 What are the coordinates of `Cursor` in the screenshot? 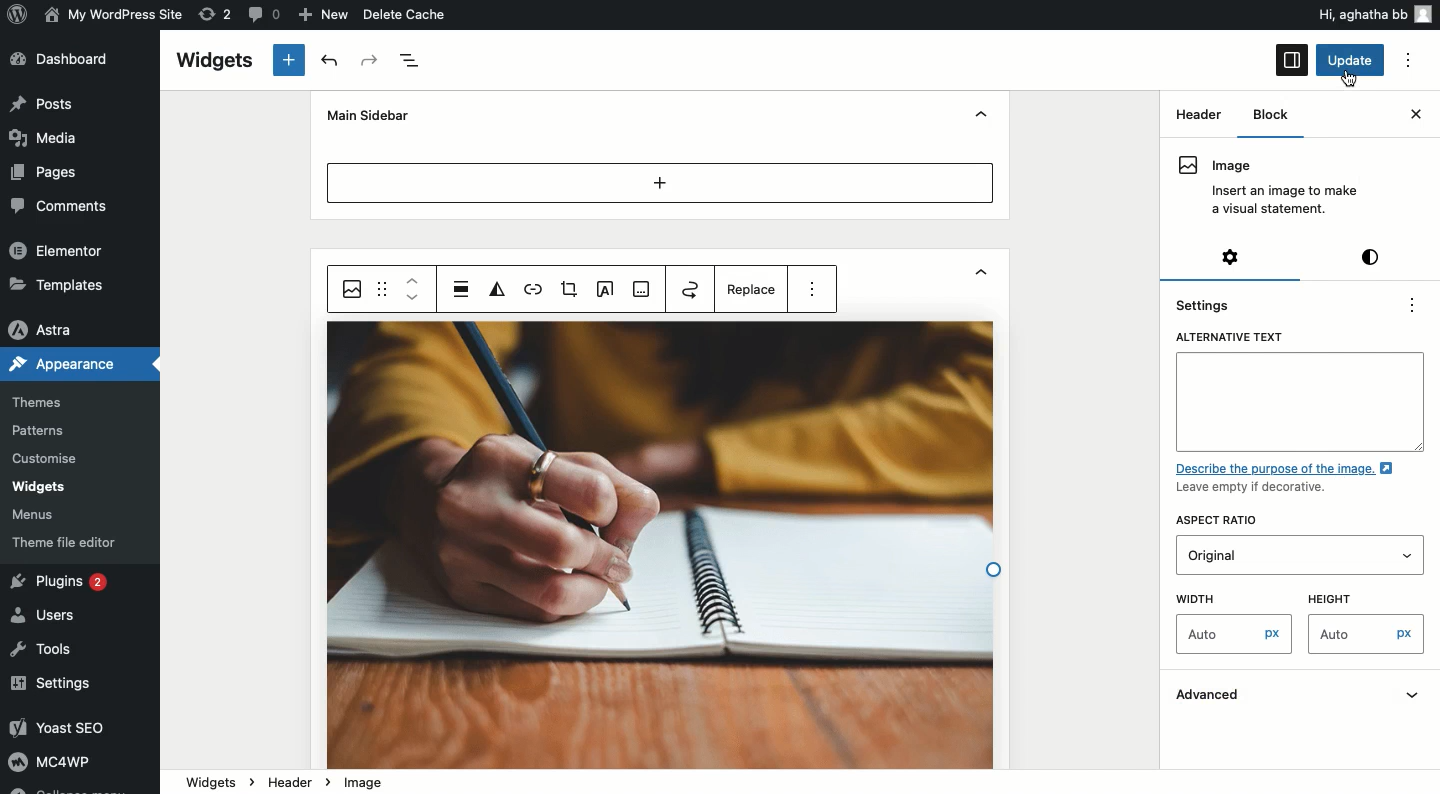 It's located at (1353, 77).